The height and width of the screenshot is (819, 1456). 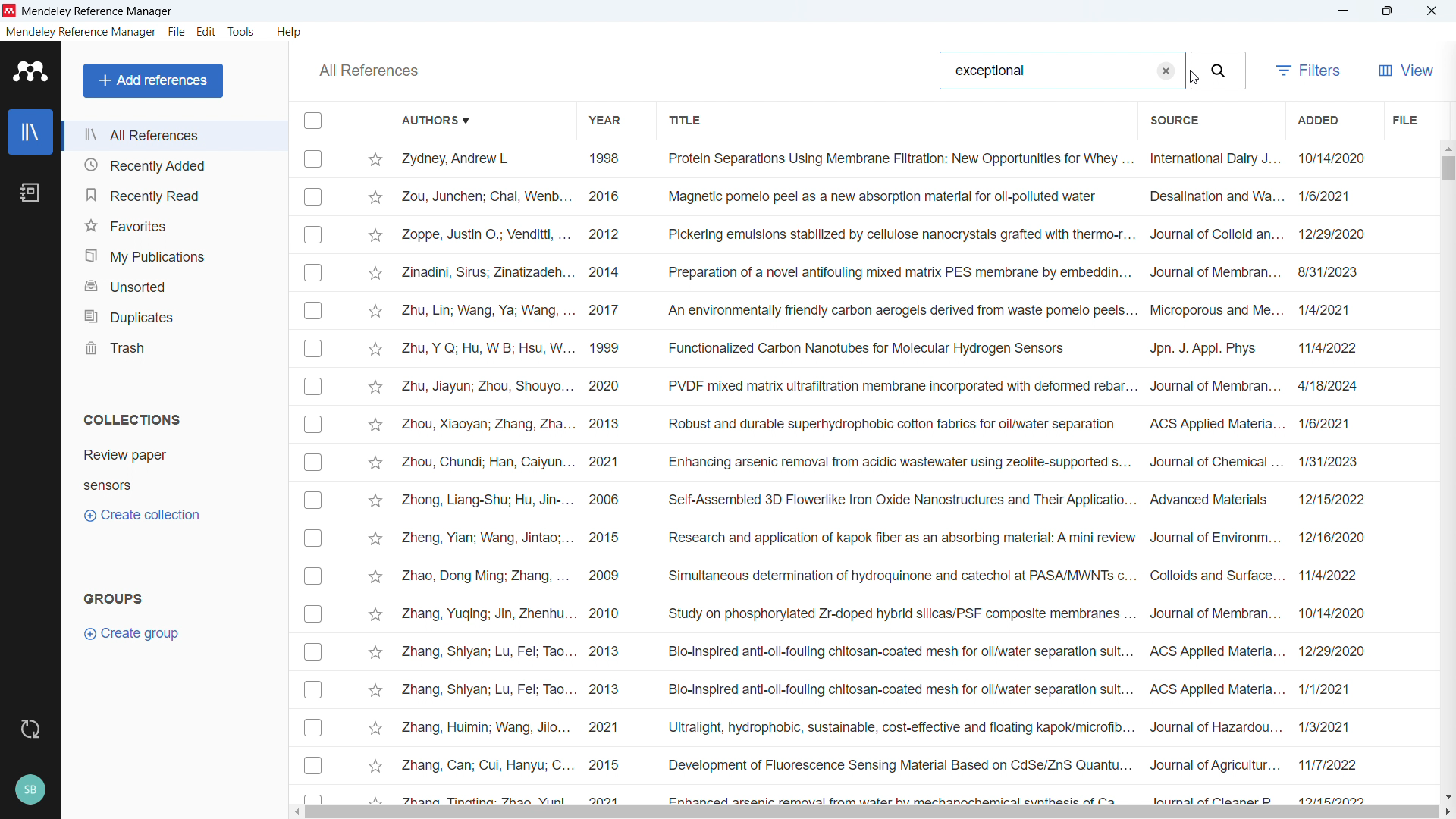 I want to click on Collection 2, so click(x=107, y=486).